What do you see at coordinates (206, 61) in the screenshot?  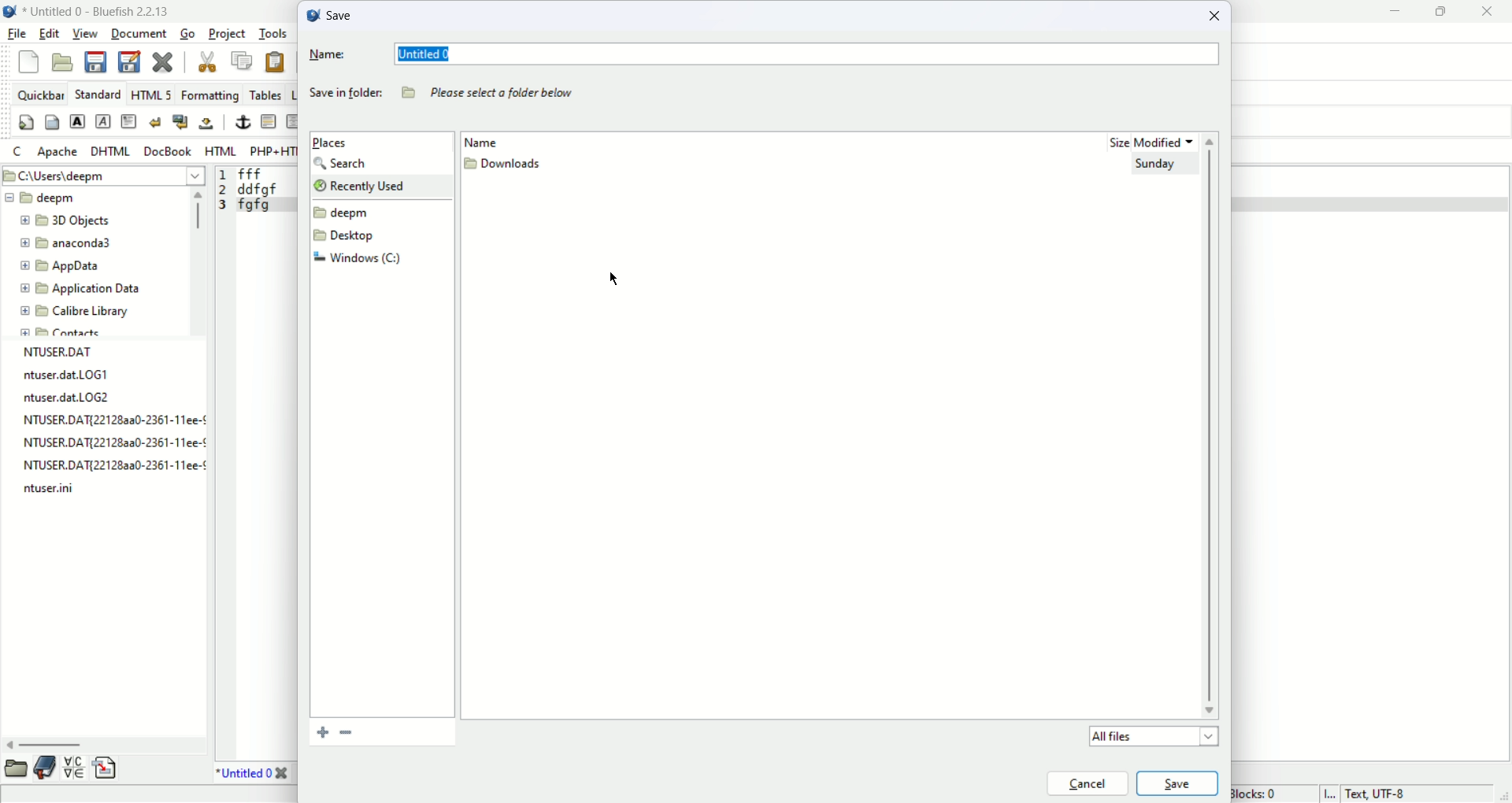 I see `cut` at bounding box center [206, 61].